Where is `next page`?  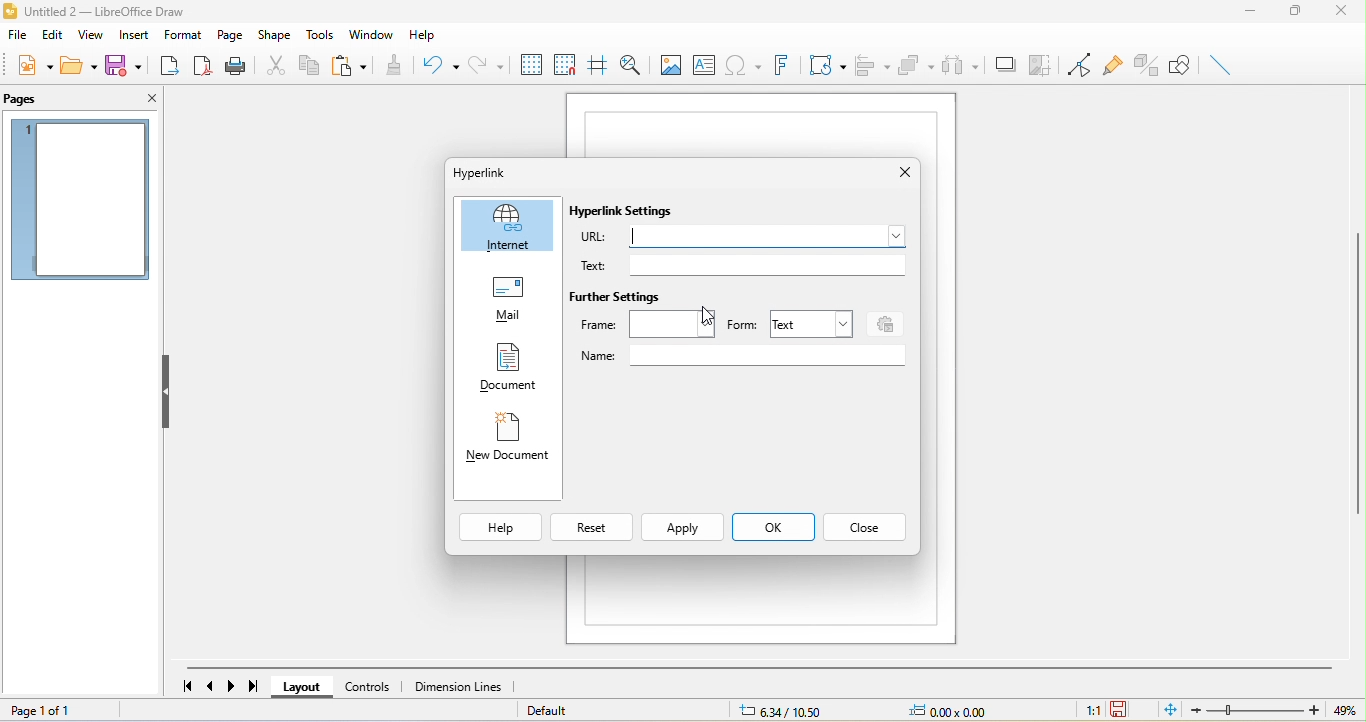
next page is located at coordinates (234, 687).